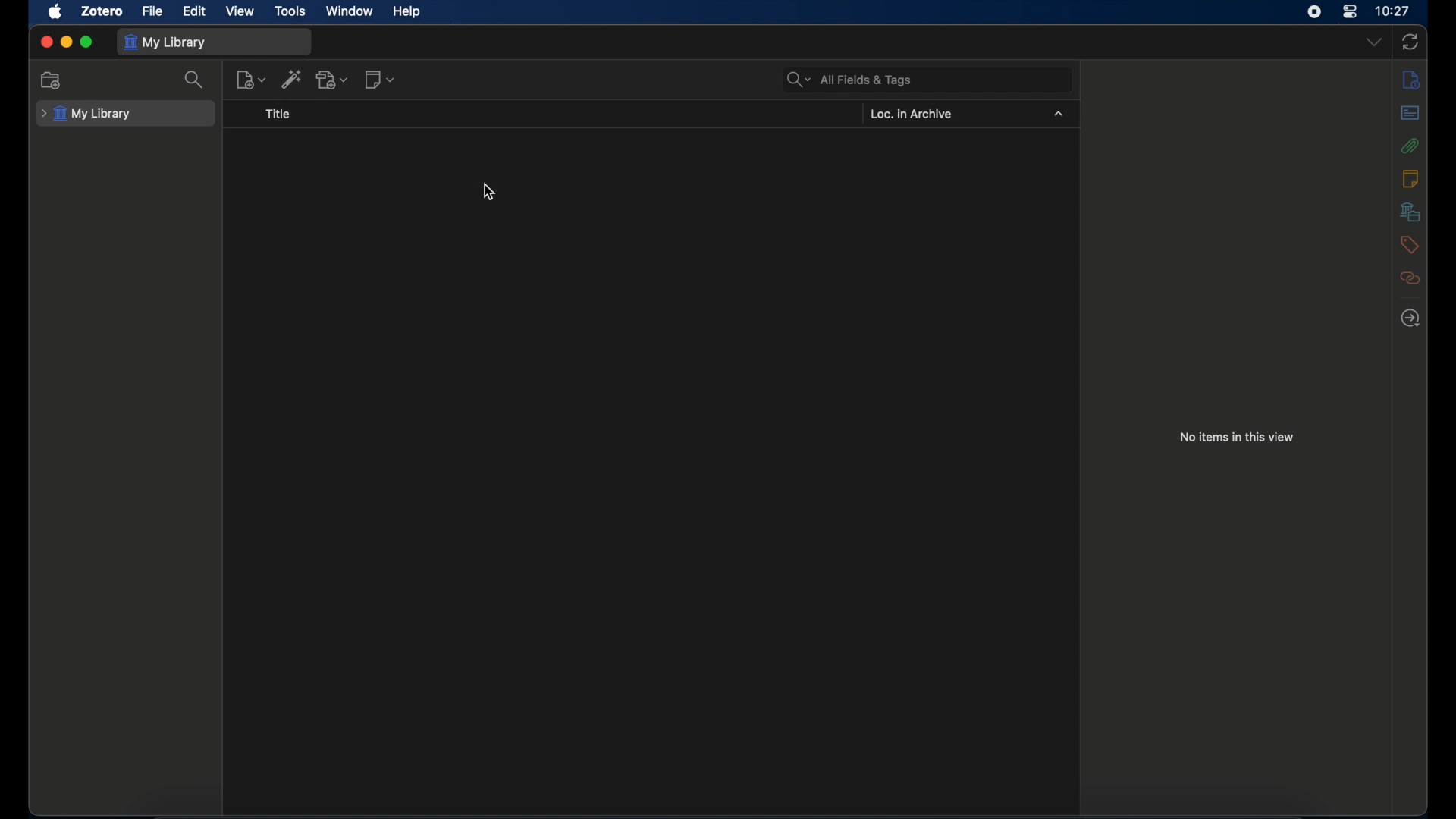 Image resolution: width=1456 pixels, height=819 pixels. Describe the element at coordinates (1375, 42) in the screenshot. I see `dropdown` at that location.